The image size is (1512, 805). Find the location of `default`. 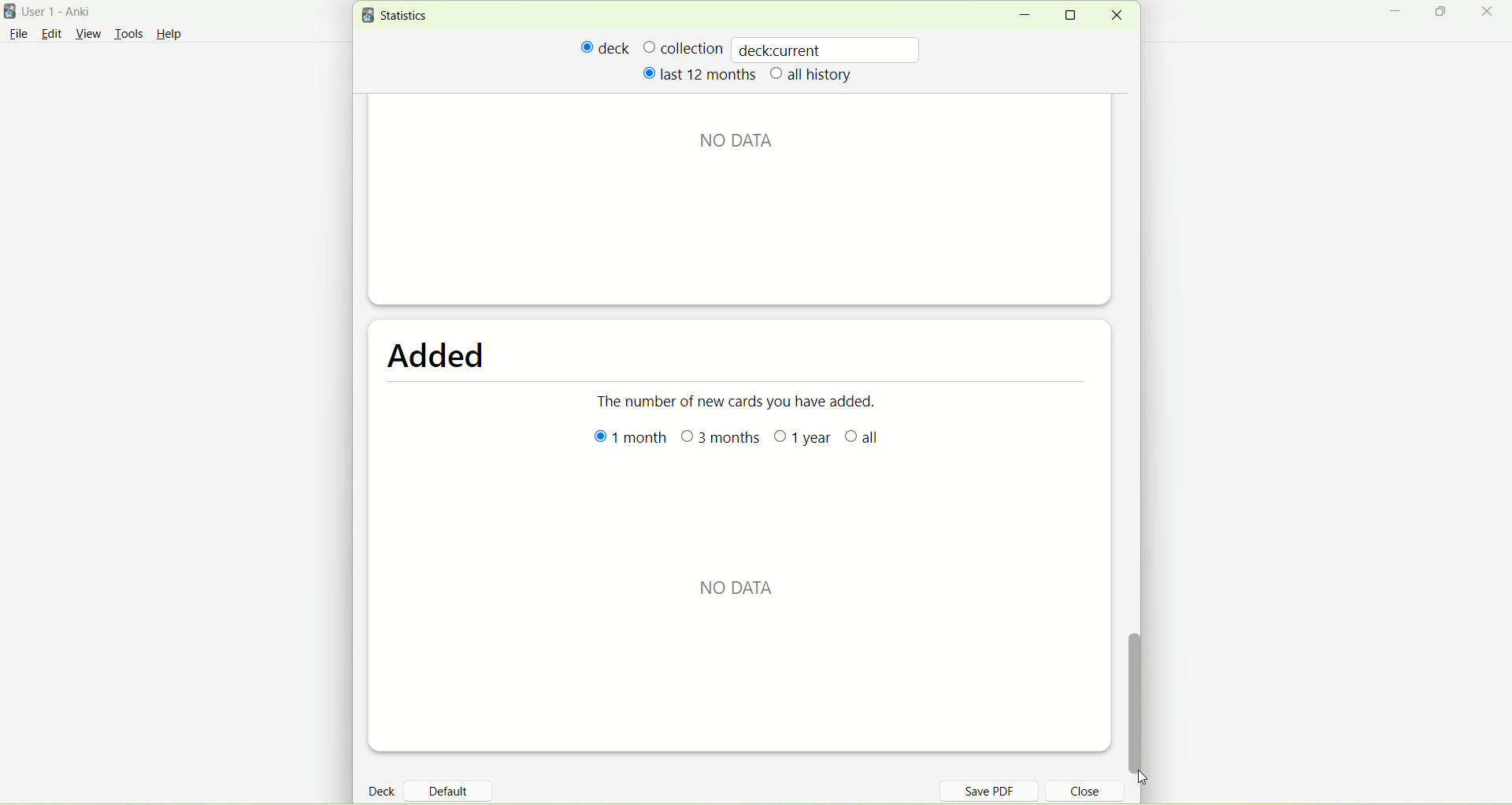

default is located at coordinates (454, 785).